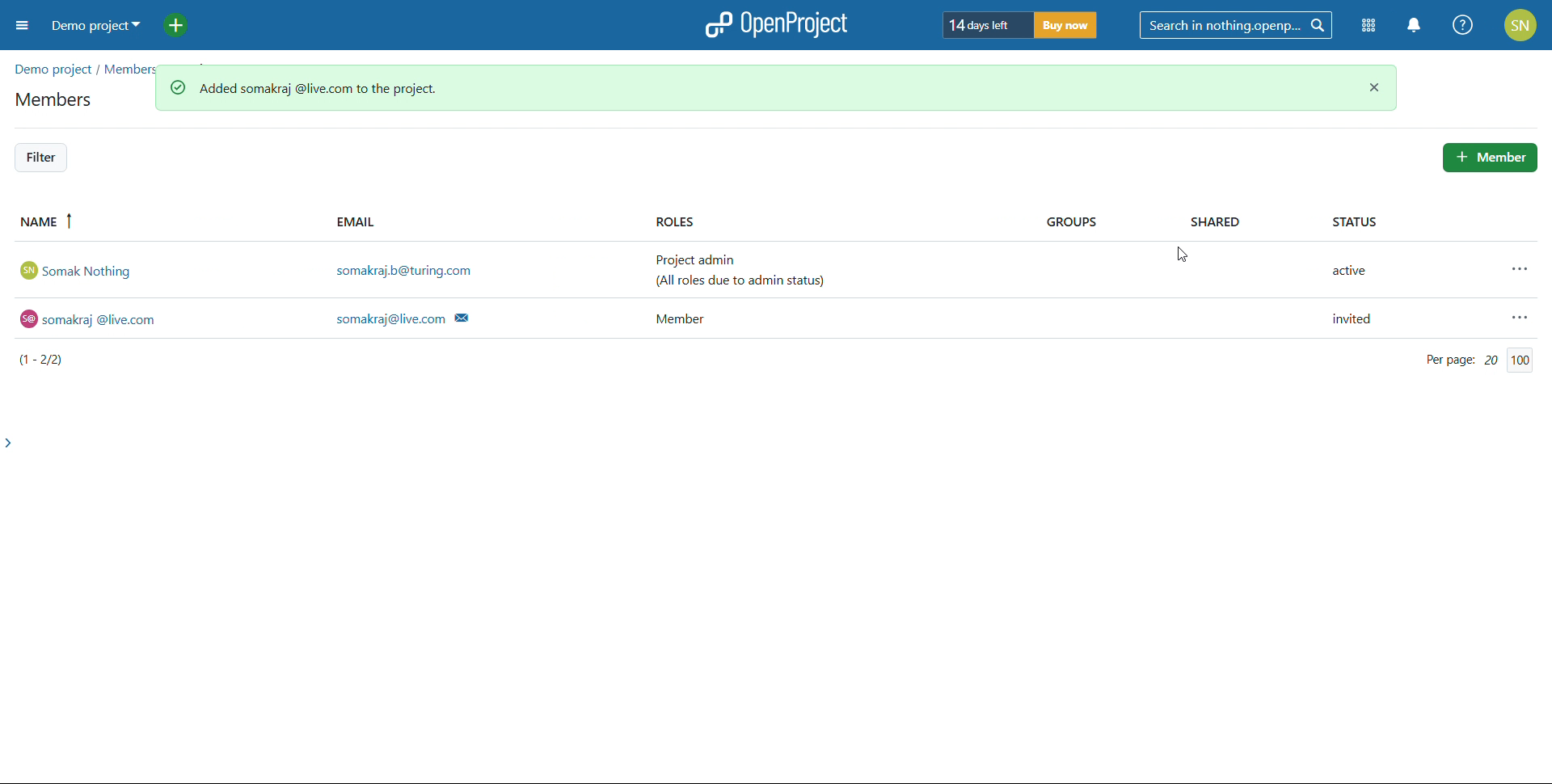  What do you see at coordinates (734, 271) in the screenshot?
I see `Project admin
(All roles due to admin status)` at bounding box center [734, 271].